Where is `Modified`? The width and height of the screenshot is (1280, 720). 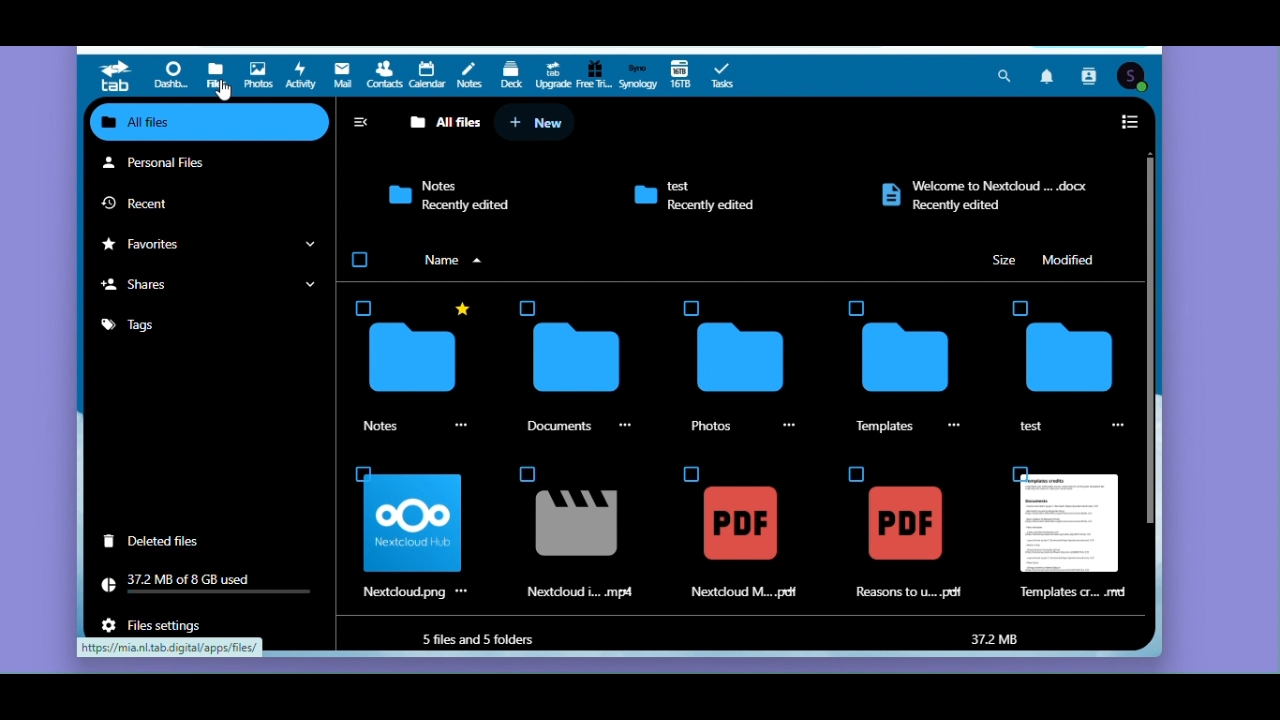
Modified is located at coordinates (1070, 260).